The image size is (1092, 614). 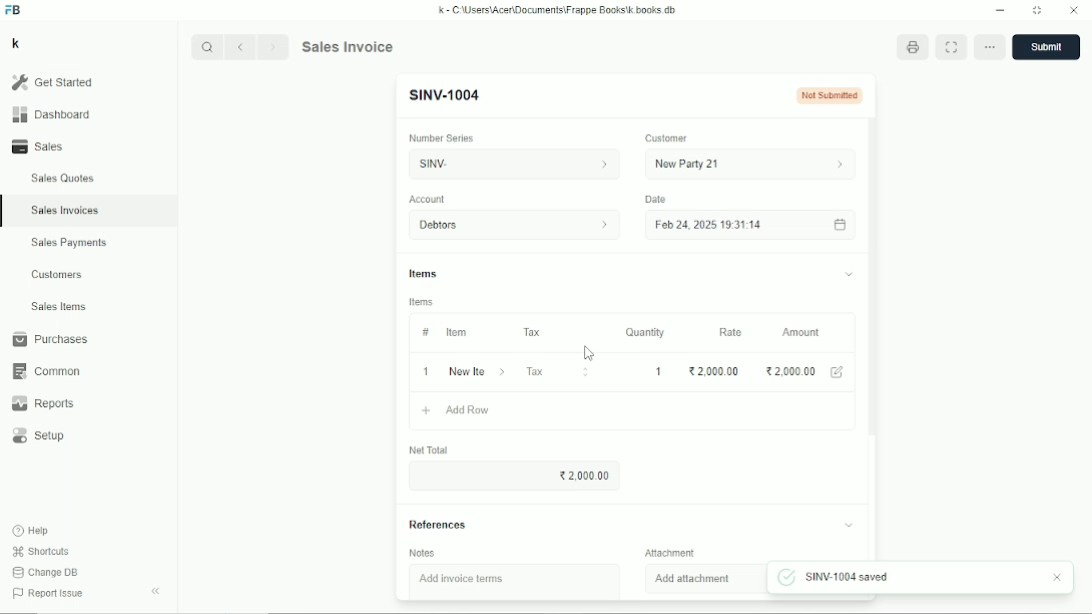 What do you see at coordinates (951, 47) in the screenshot?
I see `Toggle between form and full width` at bounding box center [951, 47].